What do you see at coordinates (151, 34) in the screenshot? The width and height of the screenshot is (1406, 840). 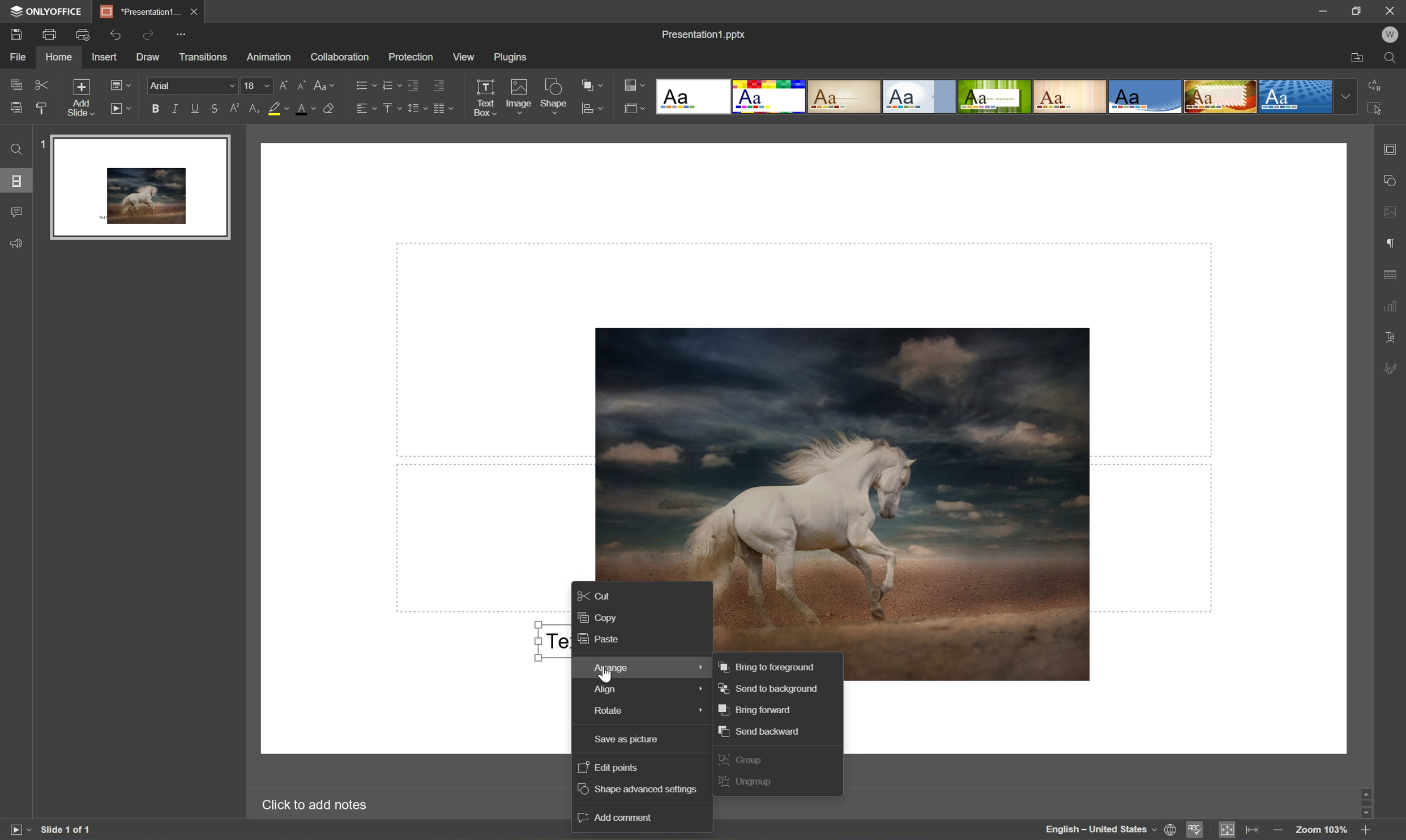 I see `Redo` at bounding box center [151, 34].